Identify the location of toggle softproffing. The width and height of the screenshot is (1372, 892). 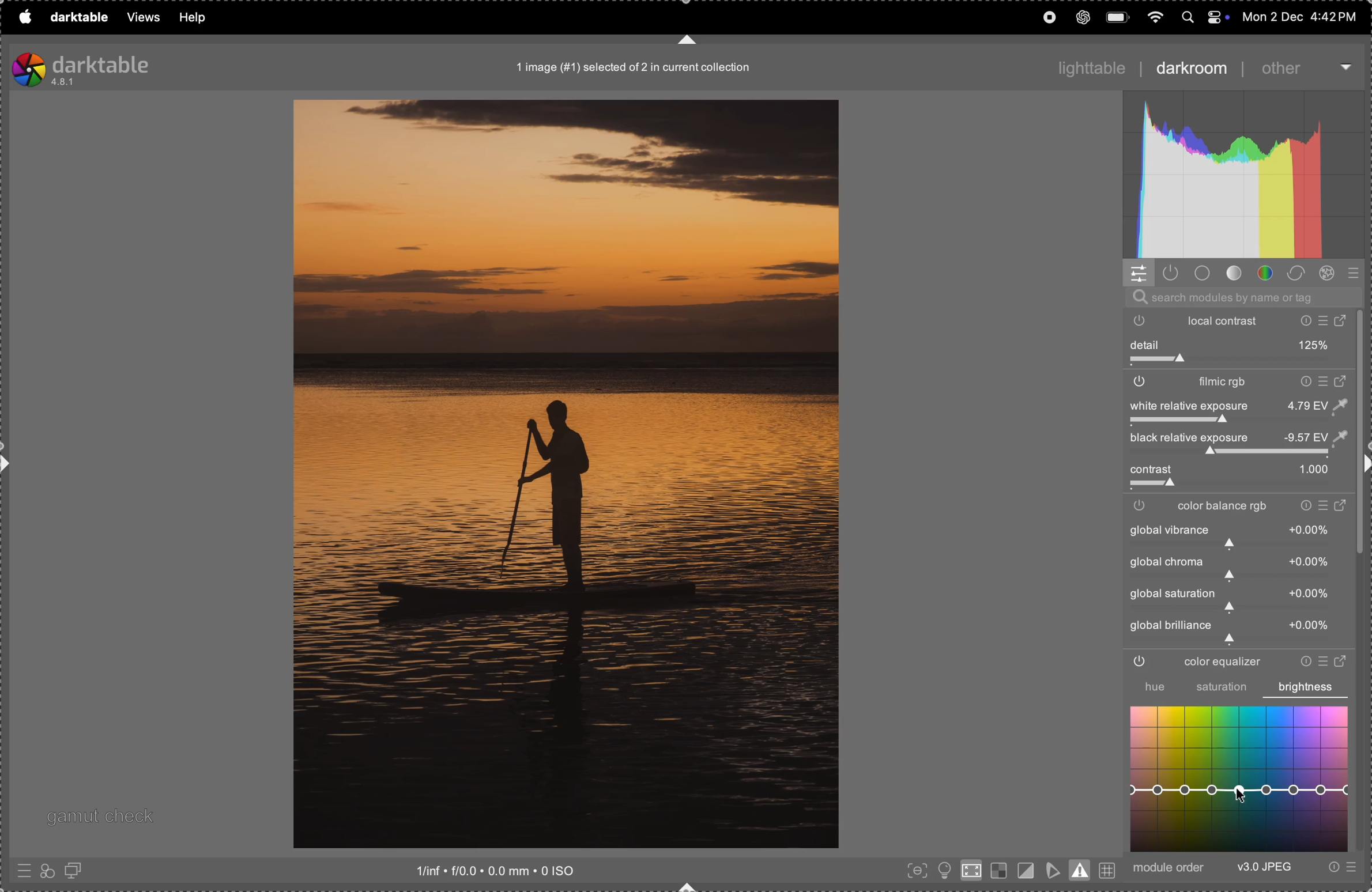
(1053, 868).